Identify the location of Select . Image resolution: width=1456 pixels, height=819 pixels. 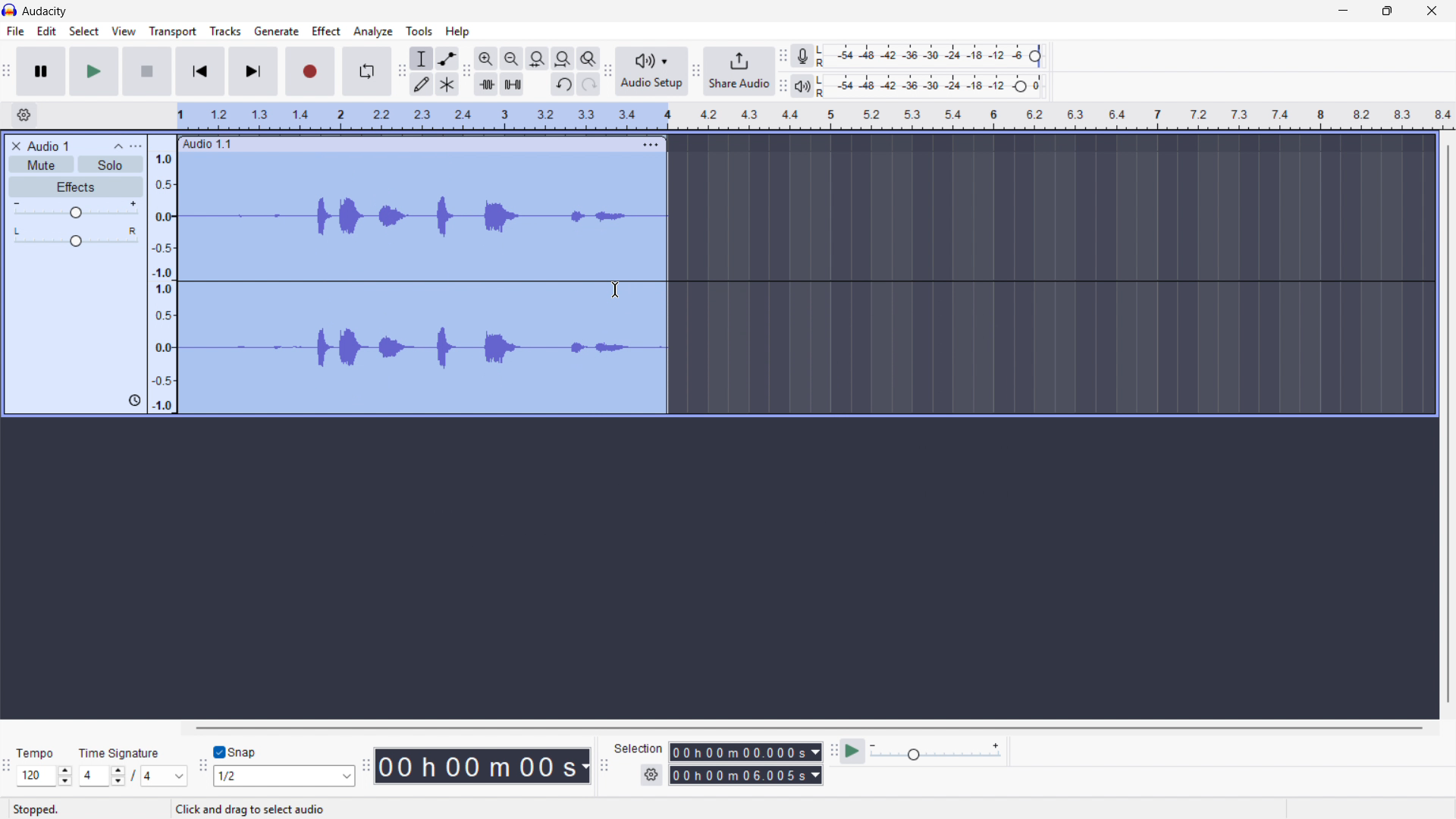
(83, 32).